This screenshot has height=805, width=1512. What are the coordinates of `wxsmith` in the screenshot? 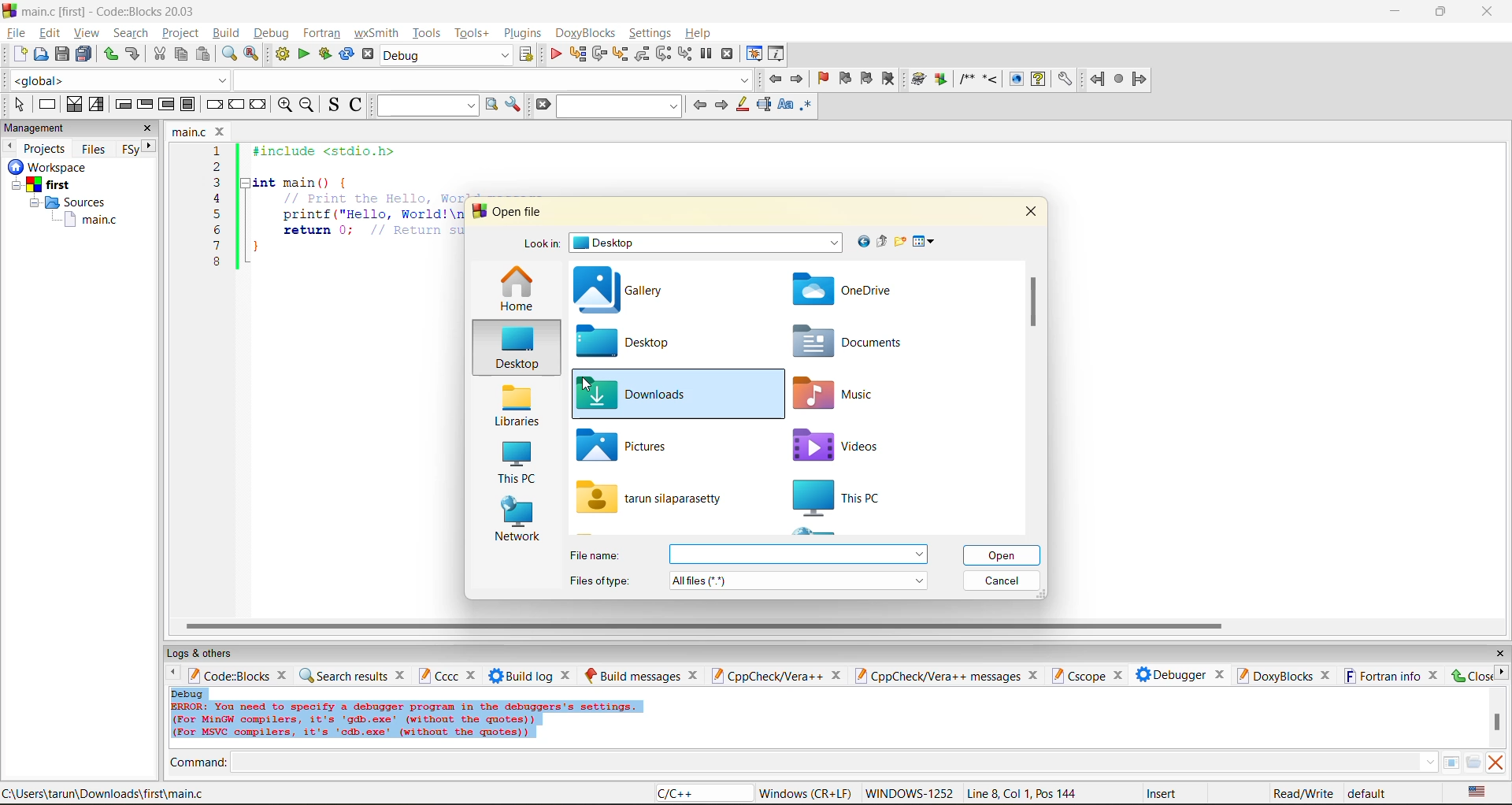 It's located at (377, 33).